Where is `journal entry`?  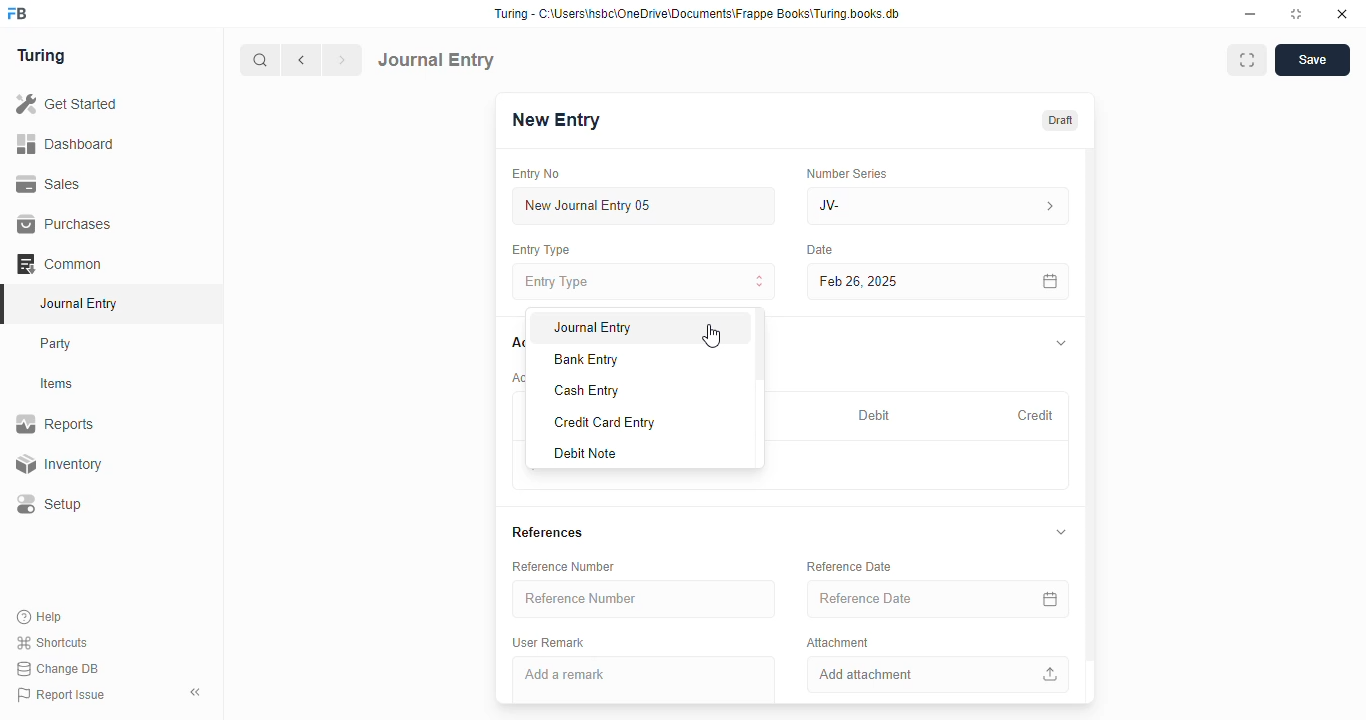
journal entry is located at coordinates (78, 303).